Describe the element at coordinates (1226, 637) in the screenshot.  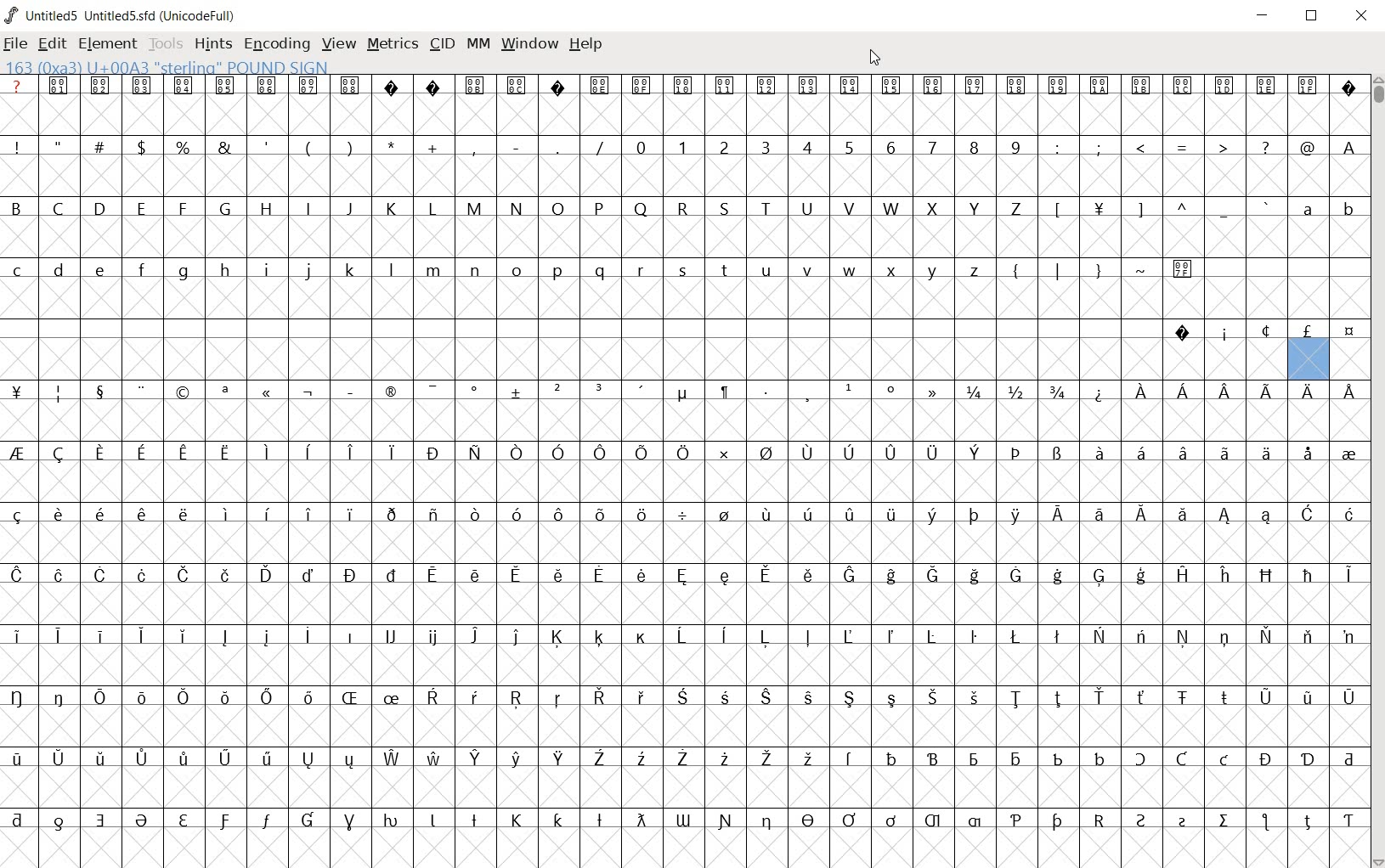
I see `Symbol` at that location.